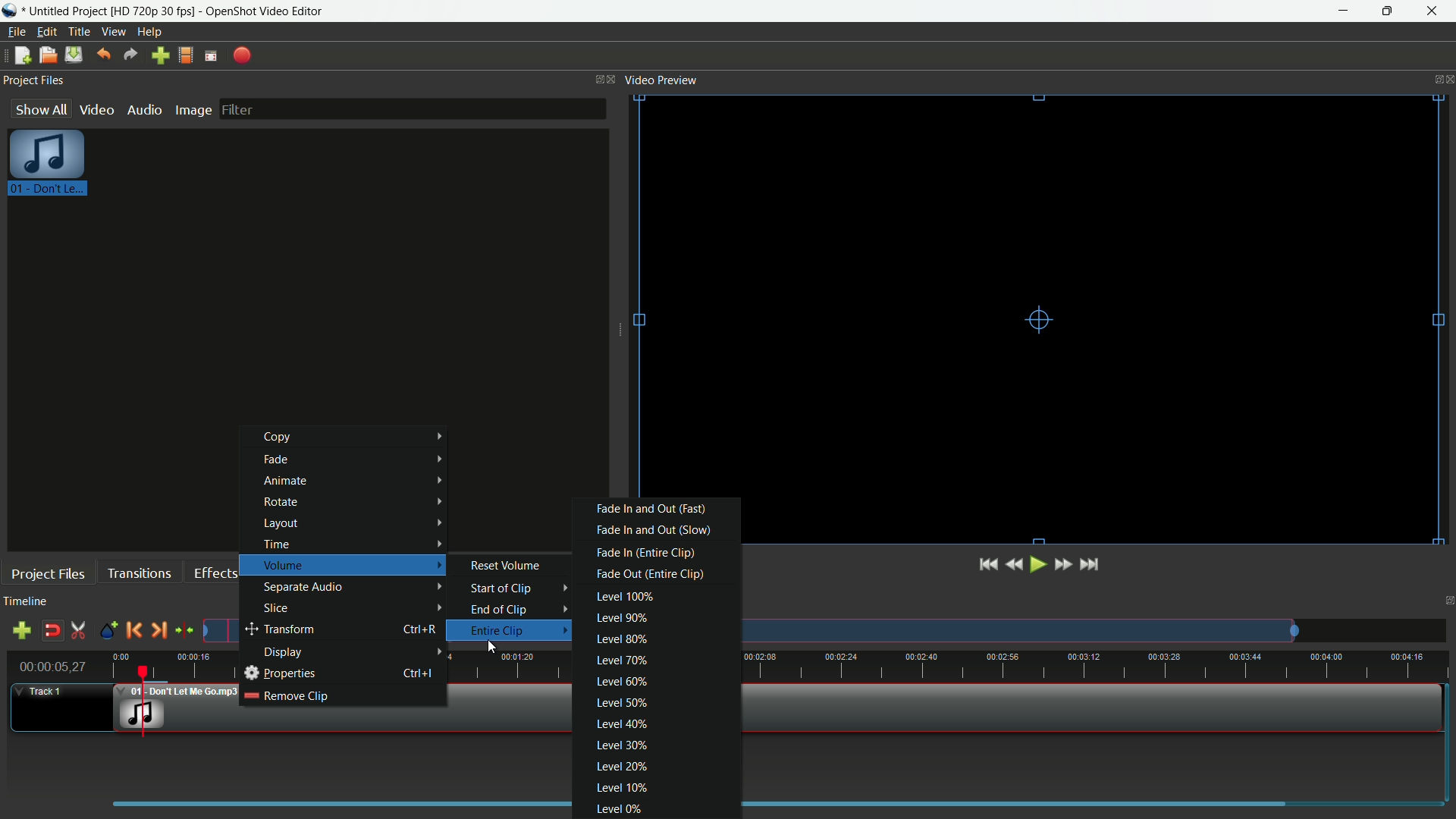  I want to click on start of clip, so click(522, 588).